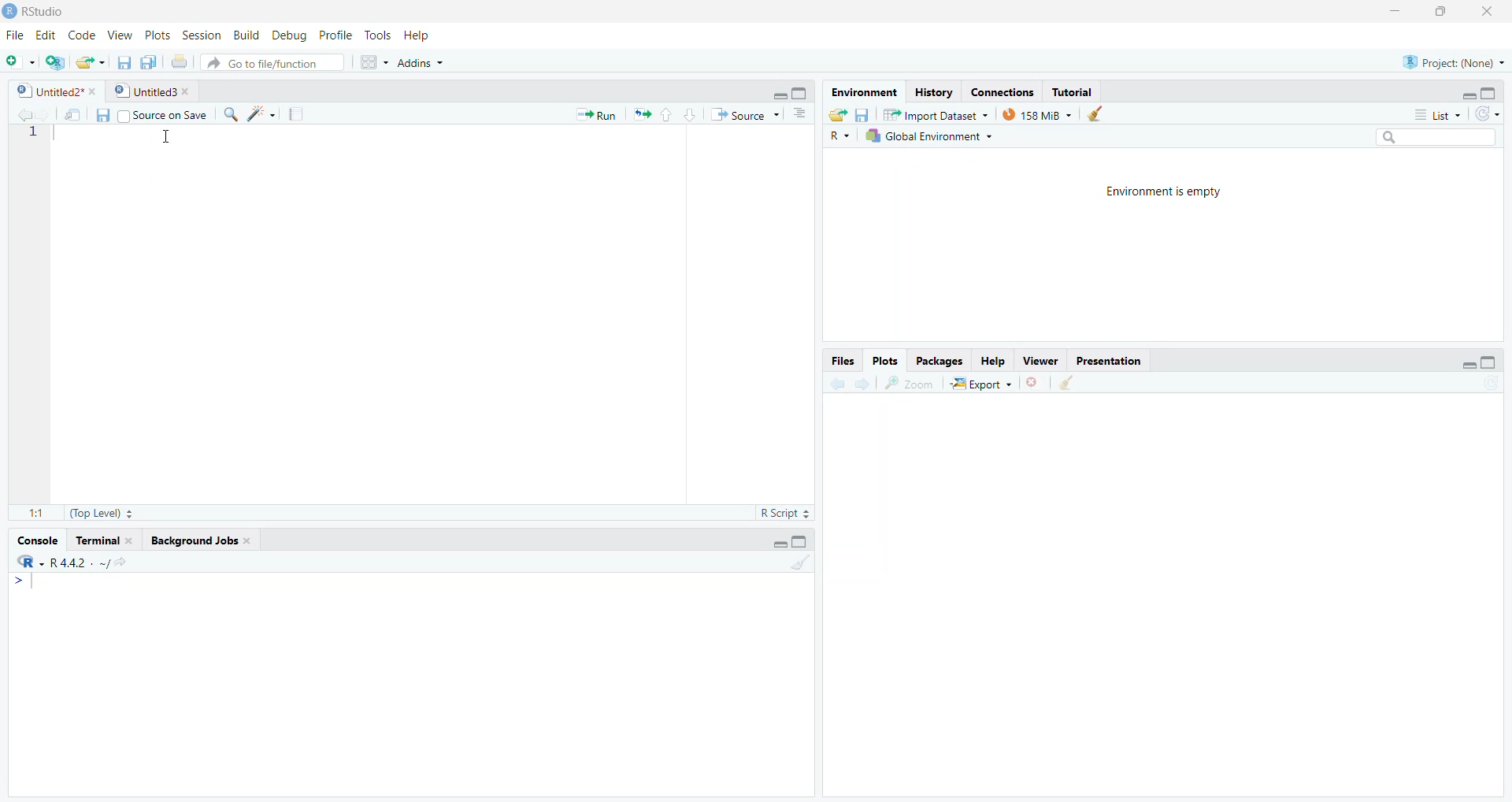  Describe the element at coordinates (1482, 92) in the screenshot. I see `minimize/maximize` at that location.